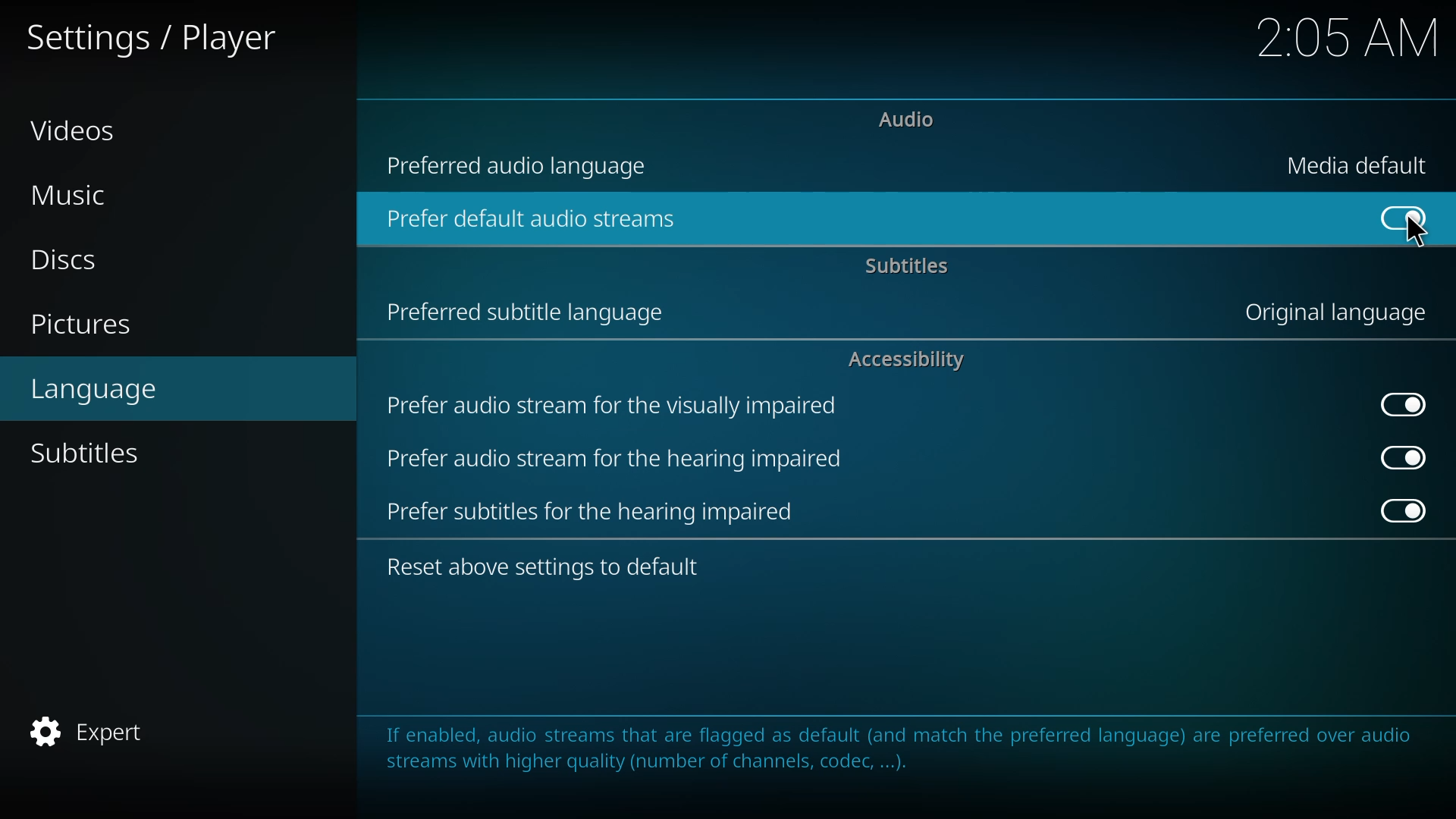 Image resolution: width=1456 pixels, height=819 pixels. What do you see at coordinates (1416, 234) in the screenshot?
I see `cursor` at bounding box center [1416, 234].